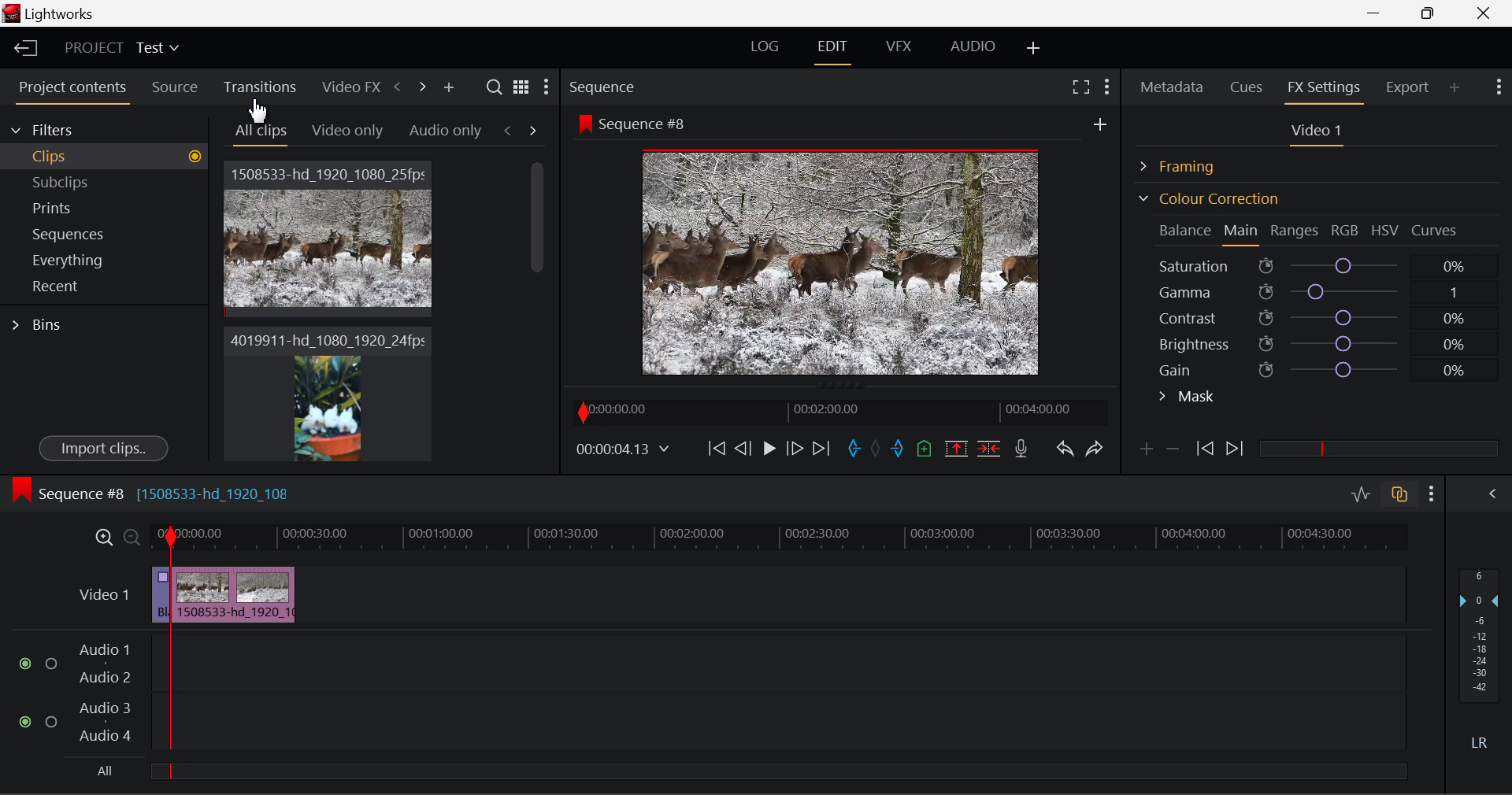  I want to click on Timeline Zoom Out, so click(131, 537).